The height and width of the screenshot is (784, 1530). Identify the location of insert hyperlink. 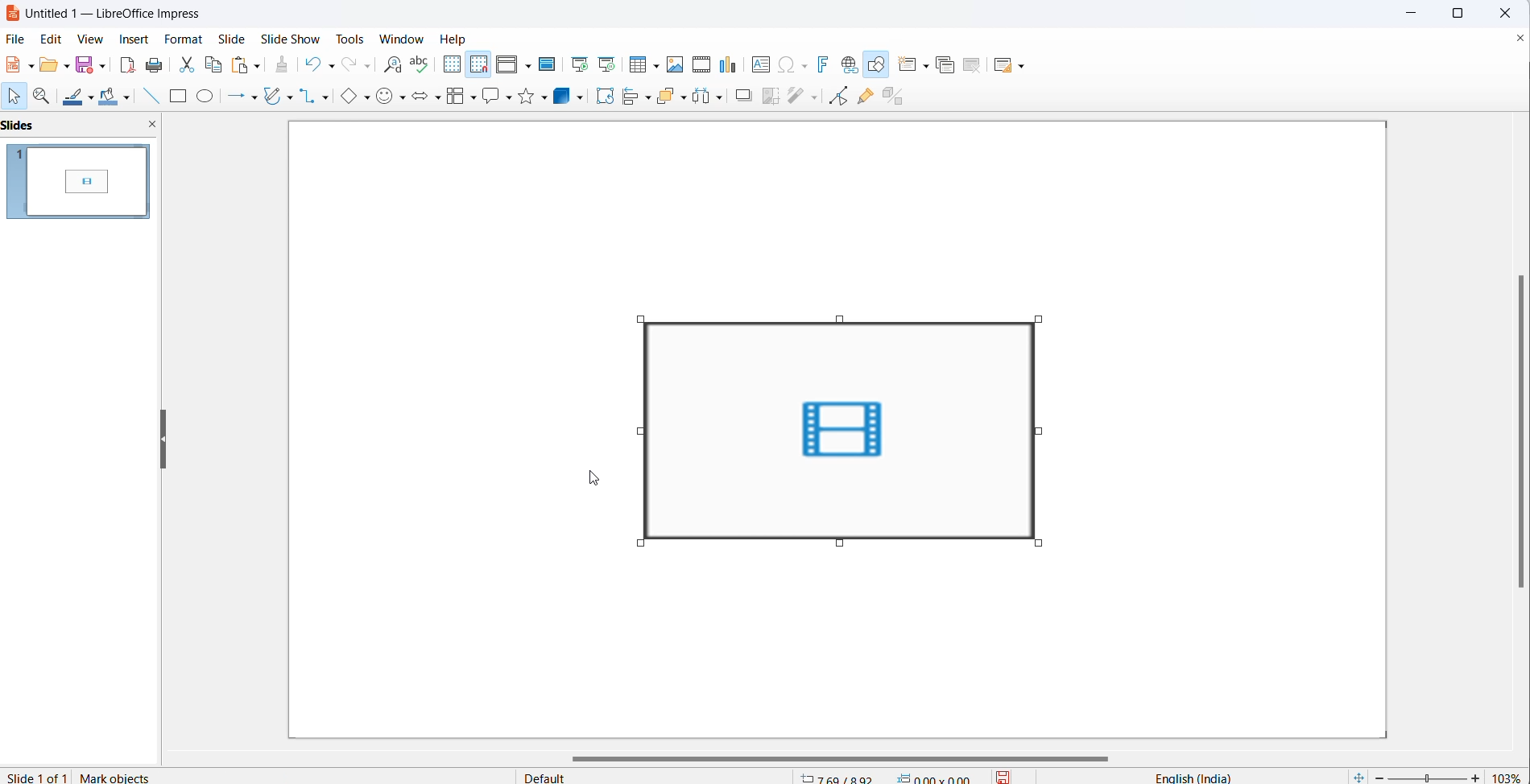
(852, 65).